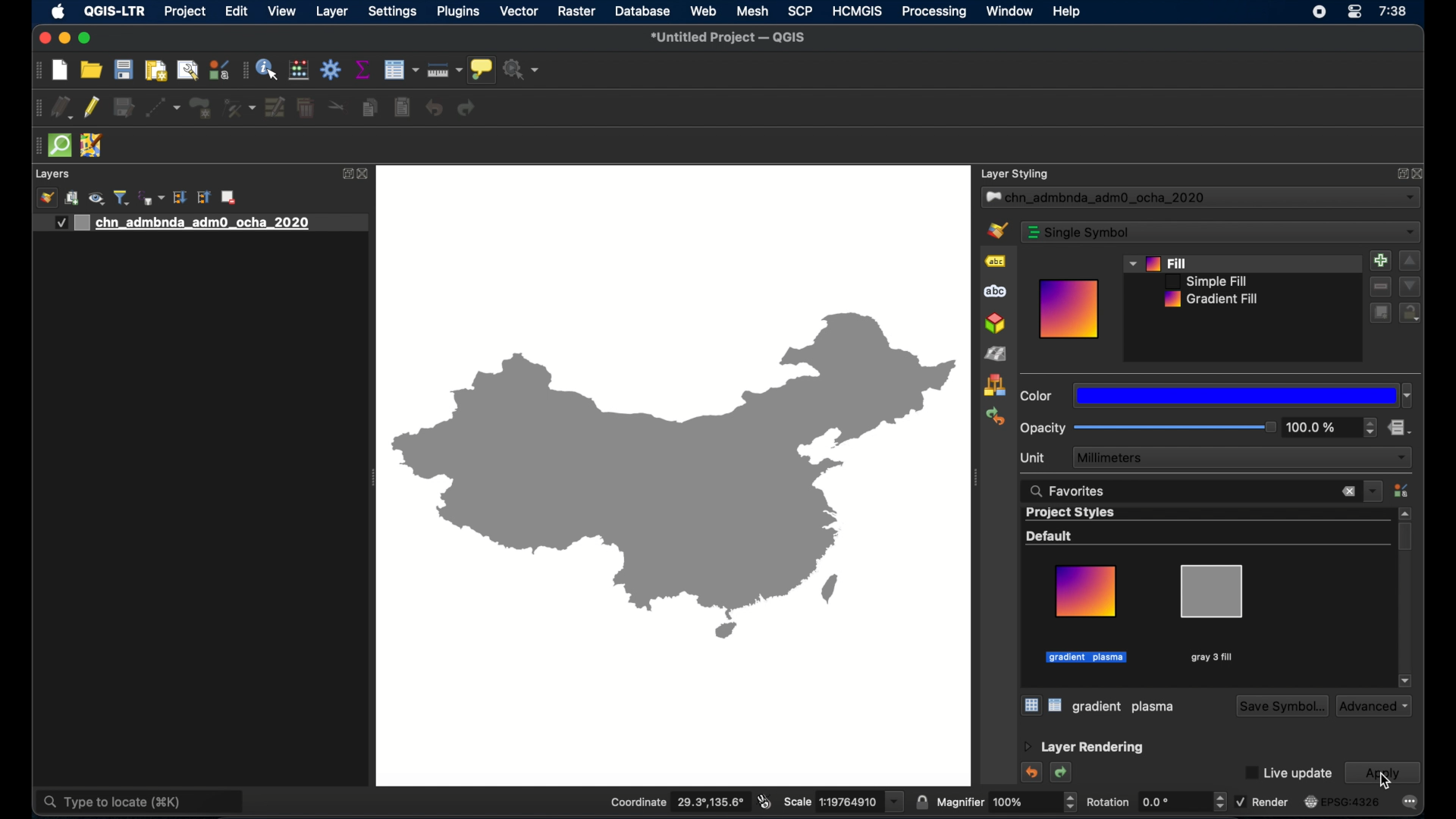 This screenshot has width=1456, height=819. What do you see at coordinates (1406, 681) in the screenshot?
I see `scroll down arrow` at bounding box center [1406, 681].